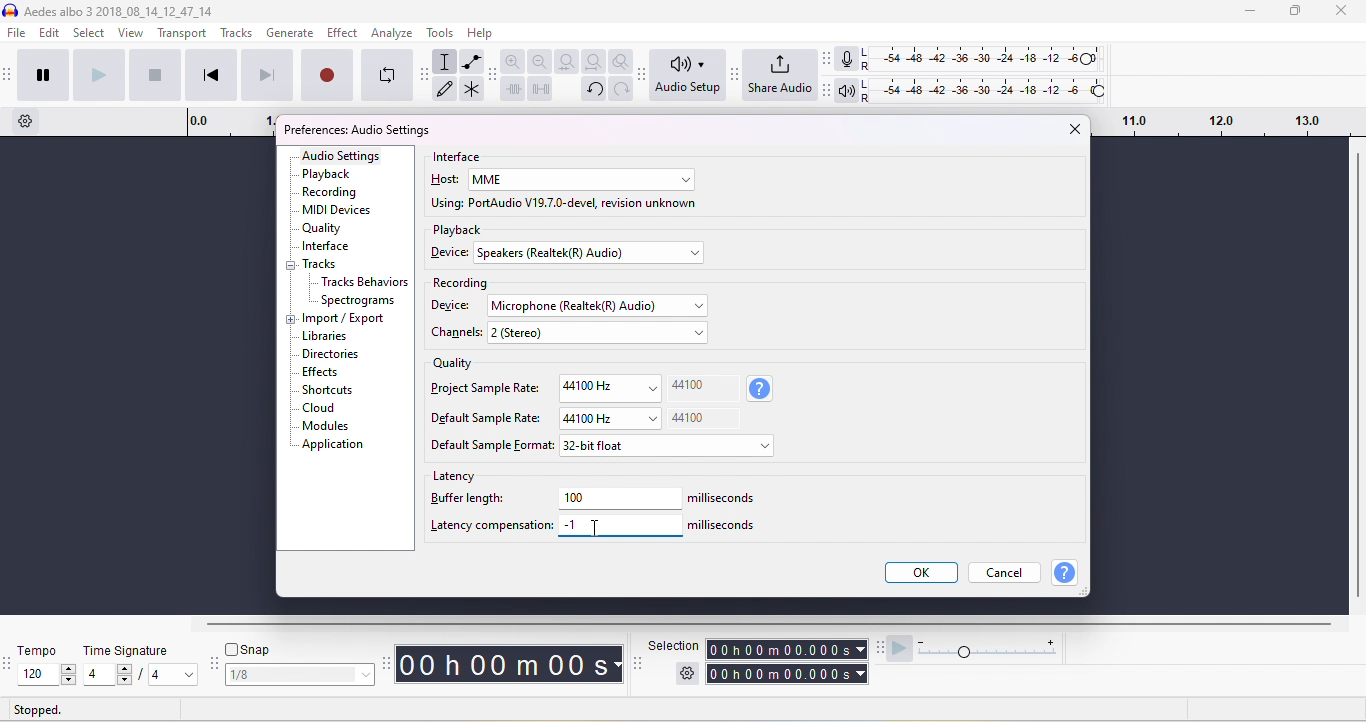 The height and width of the screenshot is (722, 1366). I want to click on quality, so click(452, 365).